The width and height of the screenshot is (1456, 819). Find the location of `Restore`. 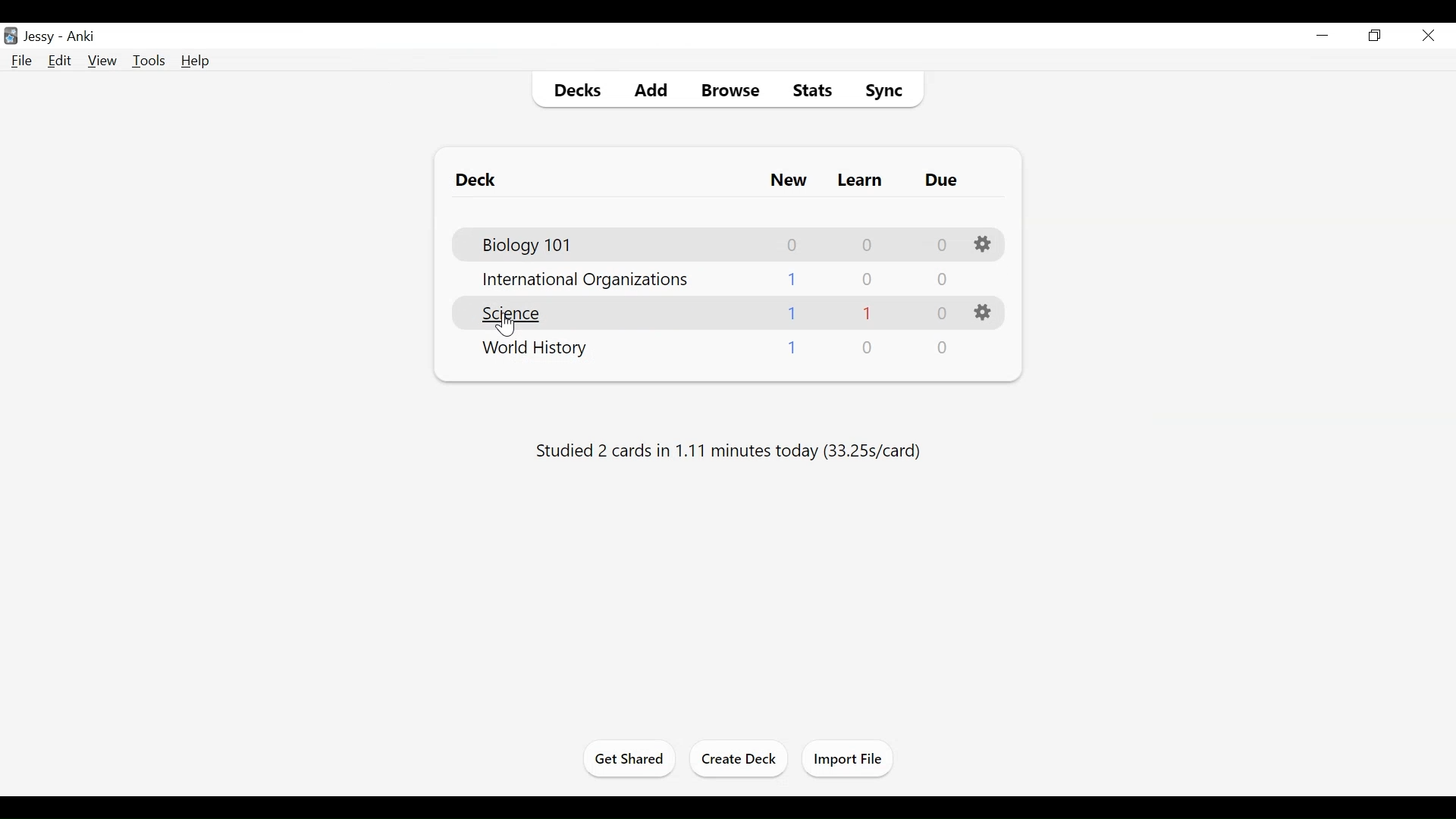

Restore is located at coordinates (1373, 36).